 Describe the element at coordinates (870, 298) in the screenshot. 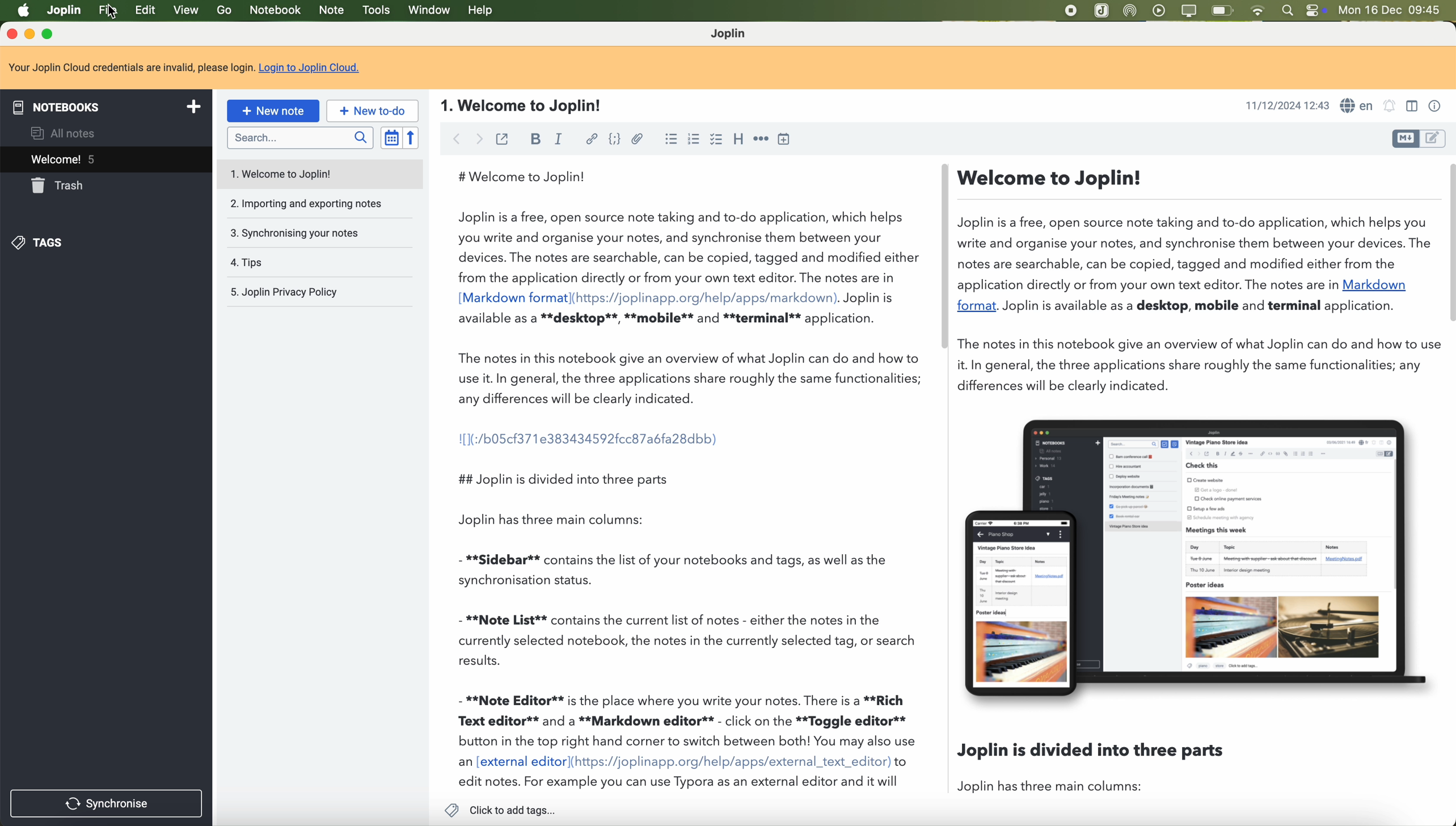

I see `Joplin is` at that location.